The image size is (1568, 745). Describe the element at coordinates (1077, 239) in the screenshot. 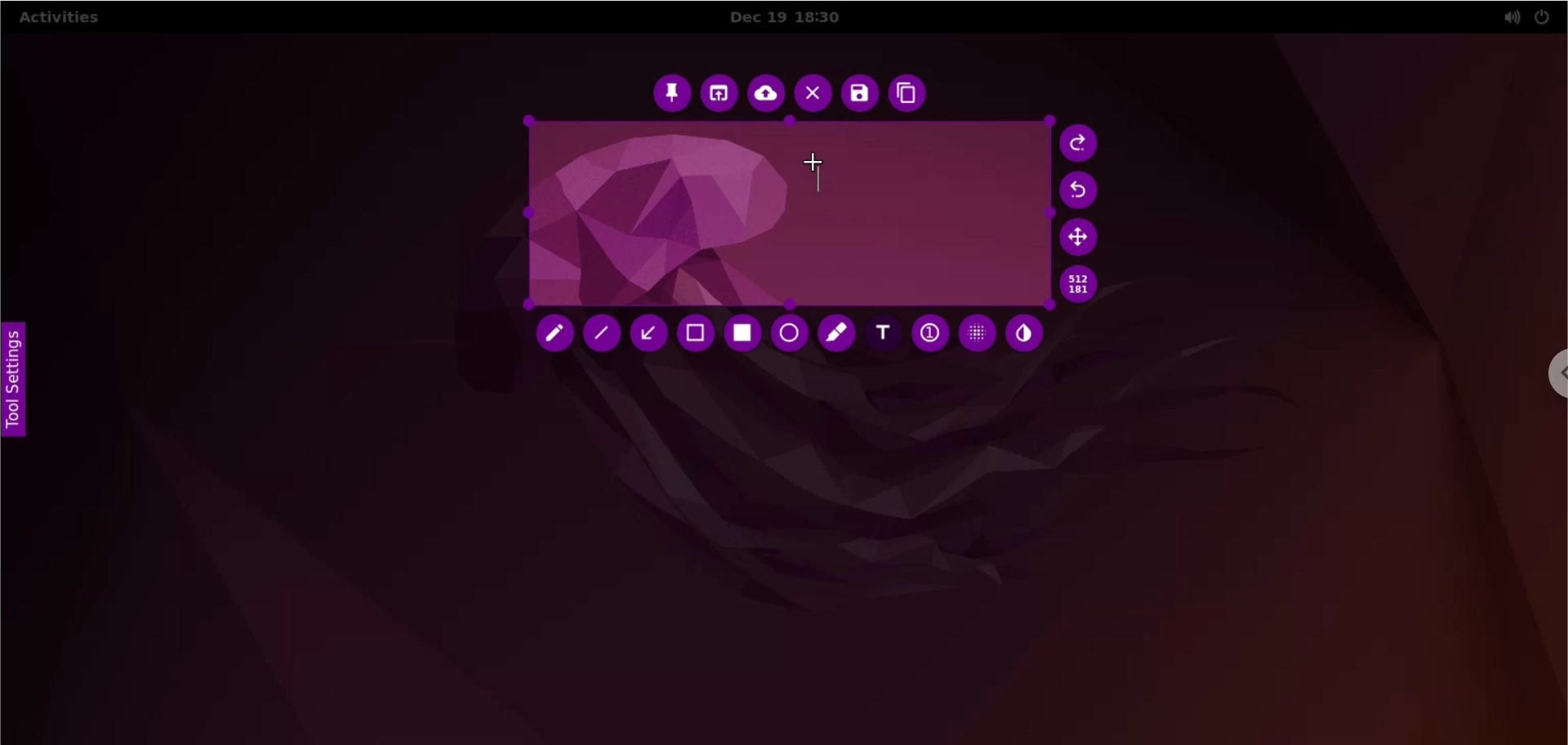

I see `move selection` at that location.